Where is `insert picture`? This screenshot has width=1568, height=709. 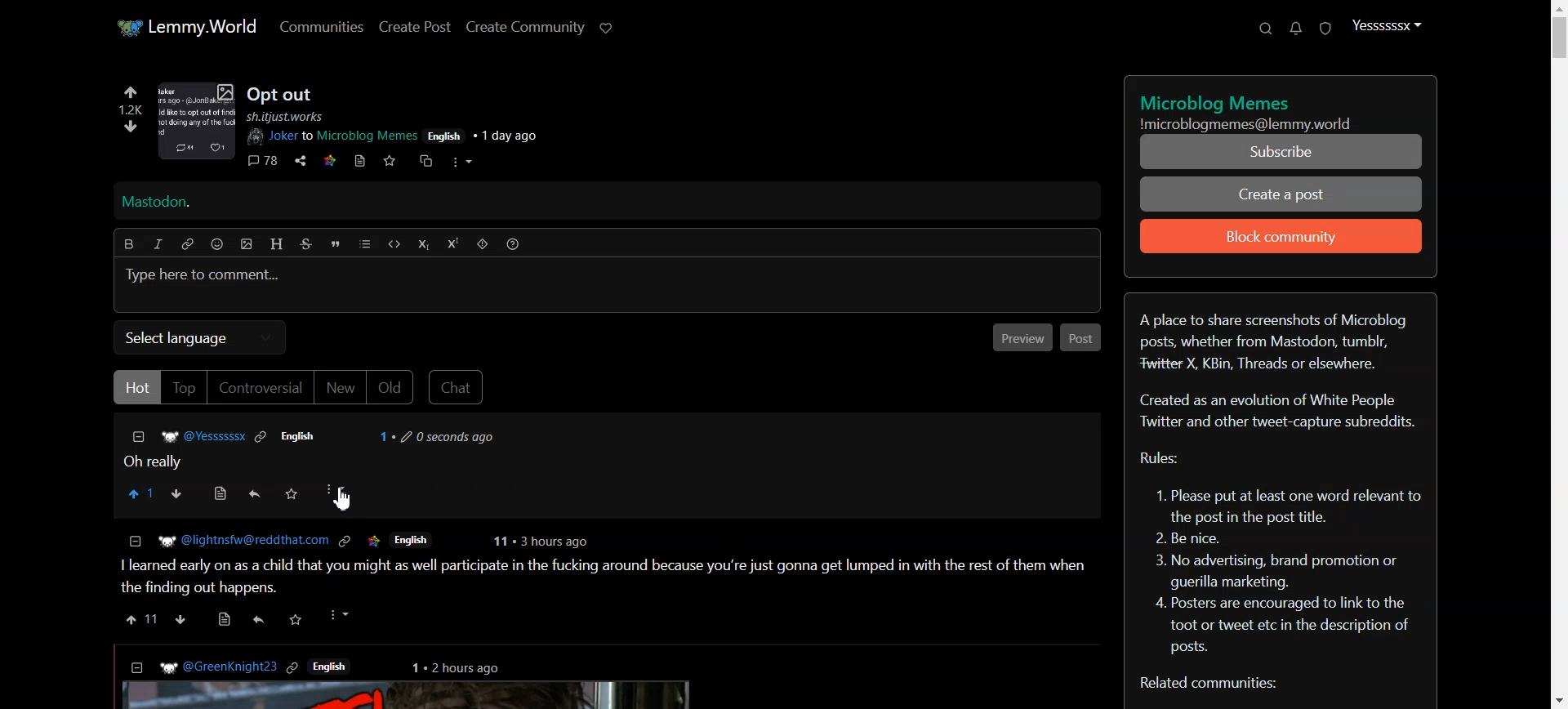
insert picture is located at coordinates (247, 245).